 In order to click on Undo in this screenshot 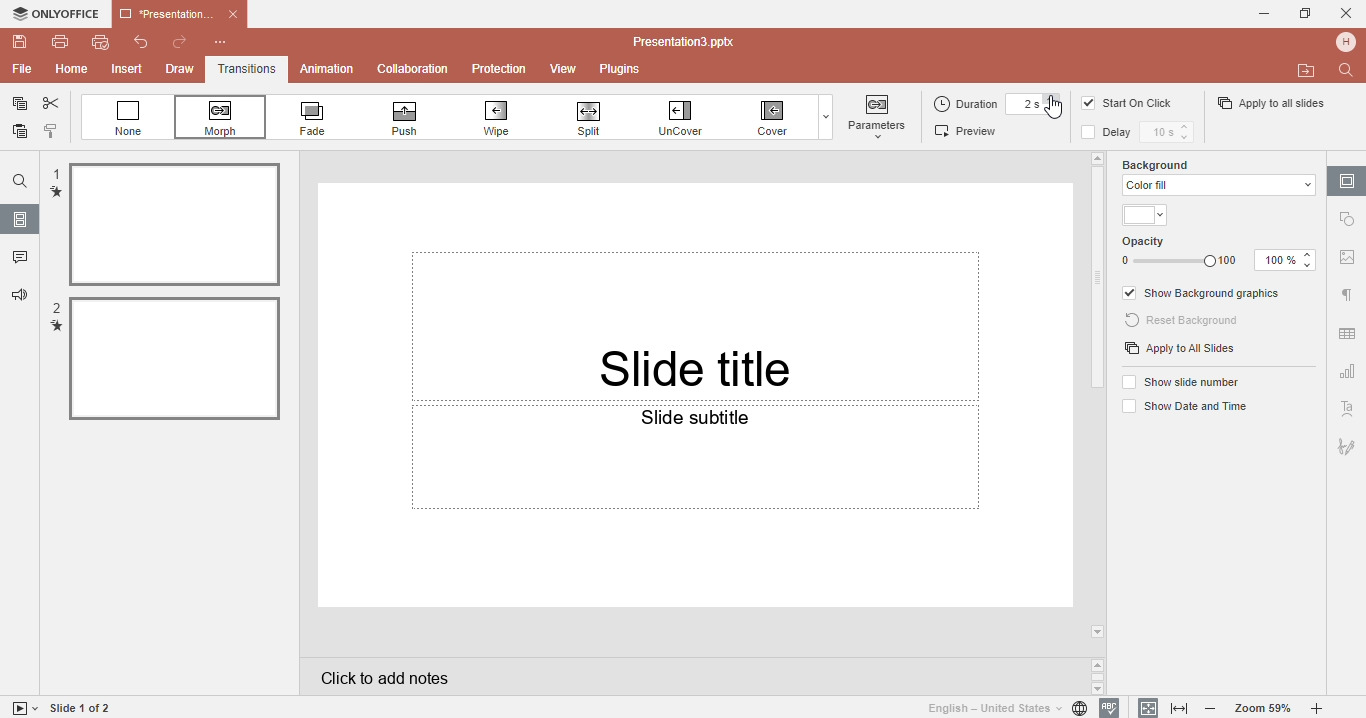, I will do `click(134, 44)`.